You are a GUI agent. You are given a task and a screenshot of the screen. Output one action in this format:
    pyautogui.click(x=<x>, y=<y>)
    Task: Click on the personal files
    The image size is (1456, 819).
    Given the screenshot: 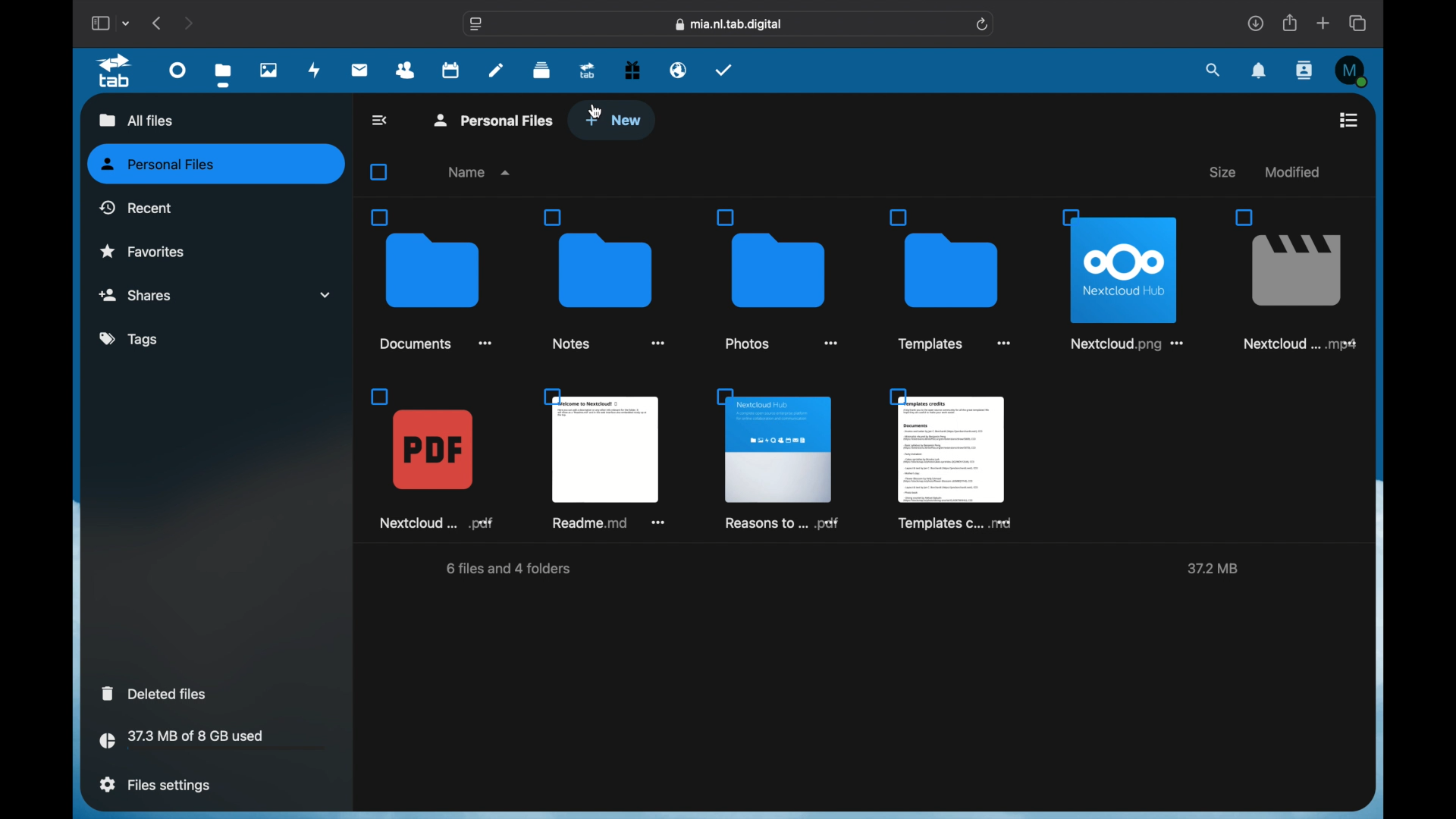 What is the action you would take?
    pyautogui.click(x=218, y=165)
    